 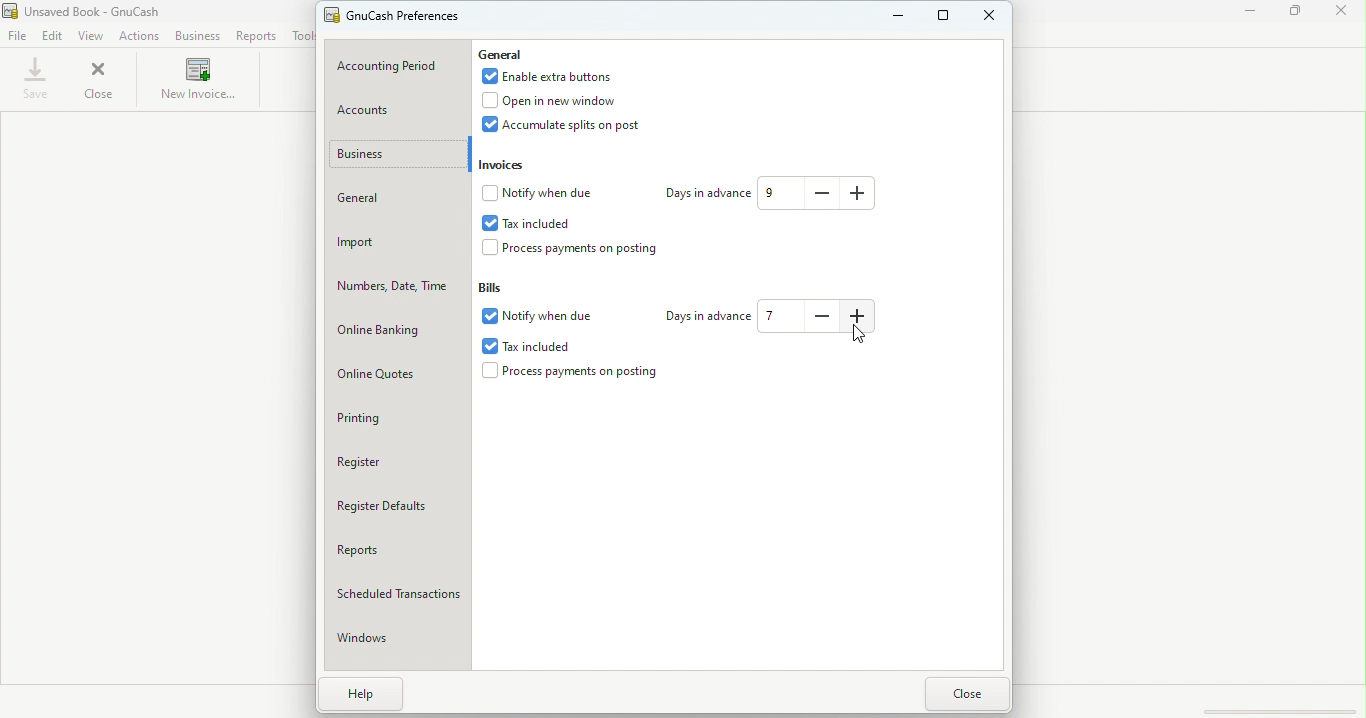 I want to click on Increase, so click(x=855, y=192).